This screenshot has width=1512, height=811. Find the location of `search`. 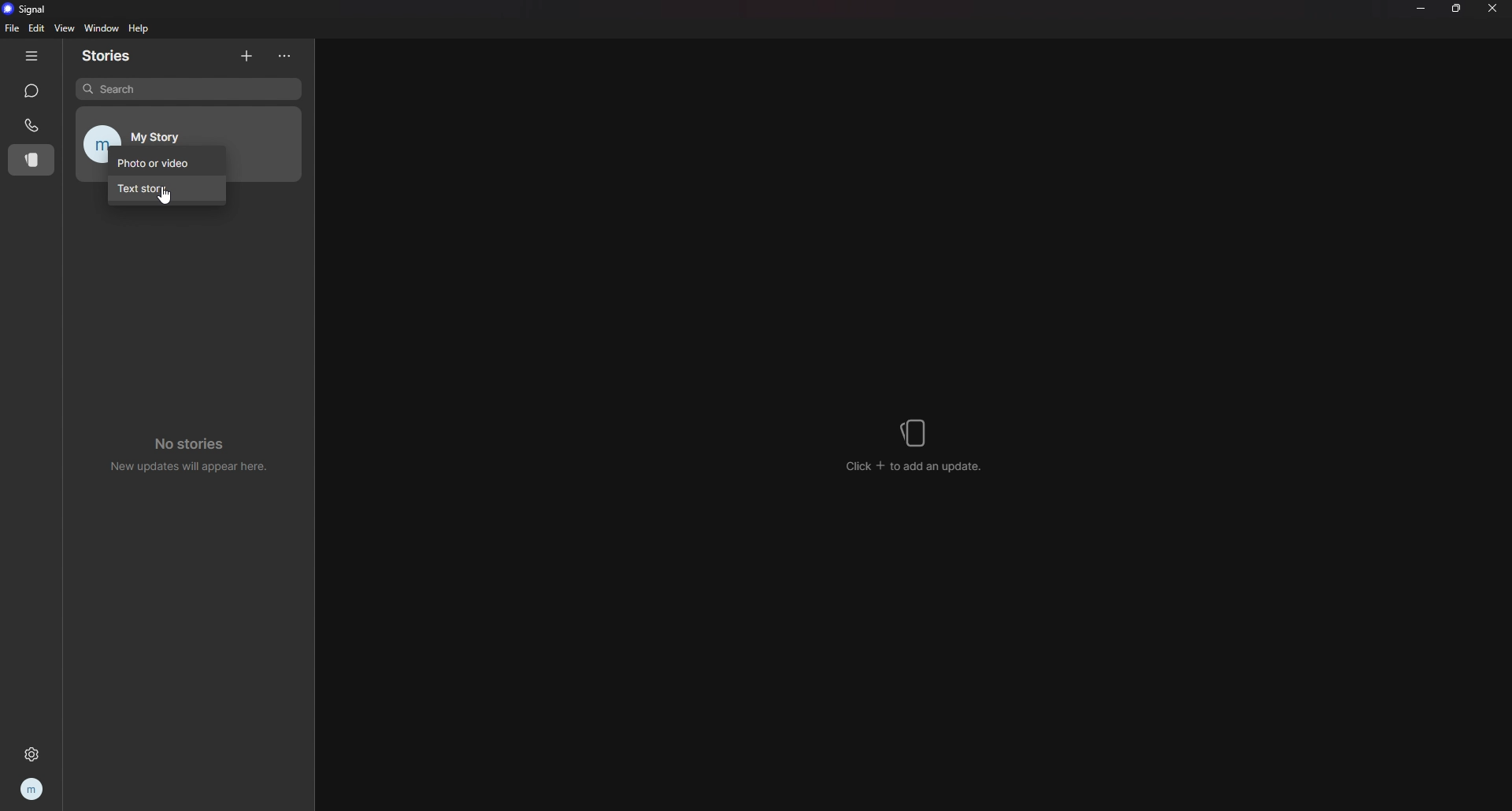

search is located at coordinates (190, 89).